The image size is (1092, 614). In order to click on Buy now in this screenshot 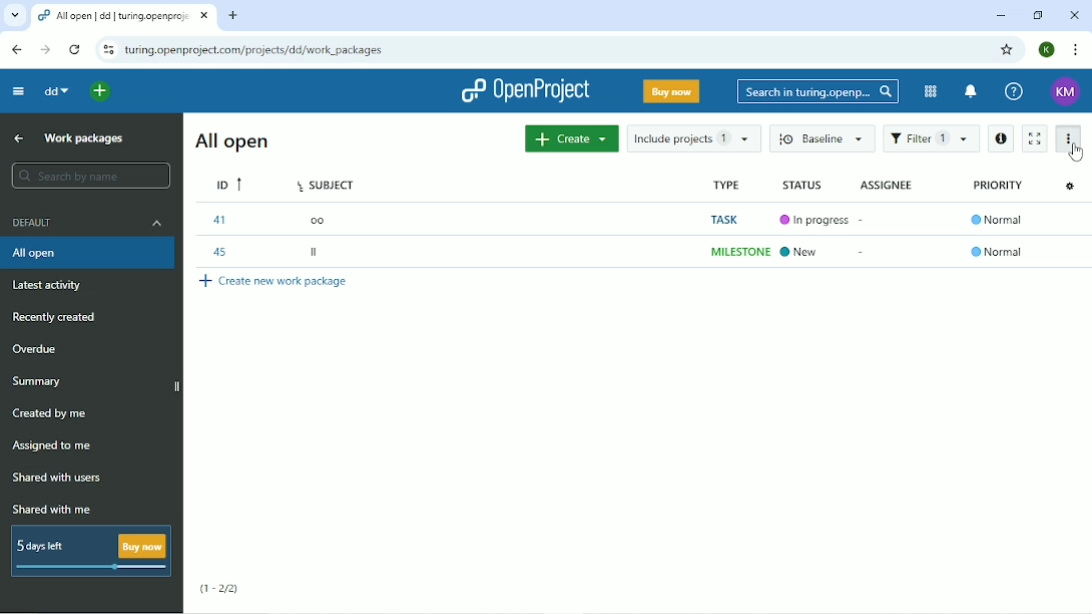, I will do `click(671, 91)`.